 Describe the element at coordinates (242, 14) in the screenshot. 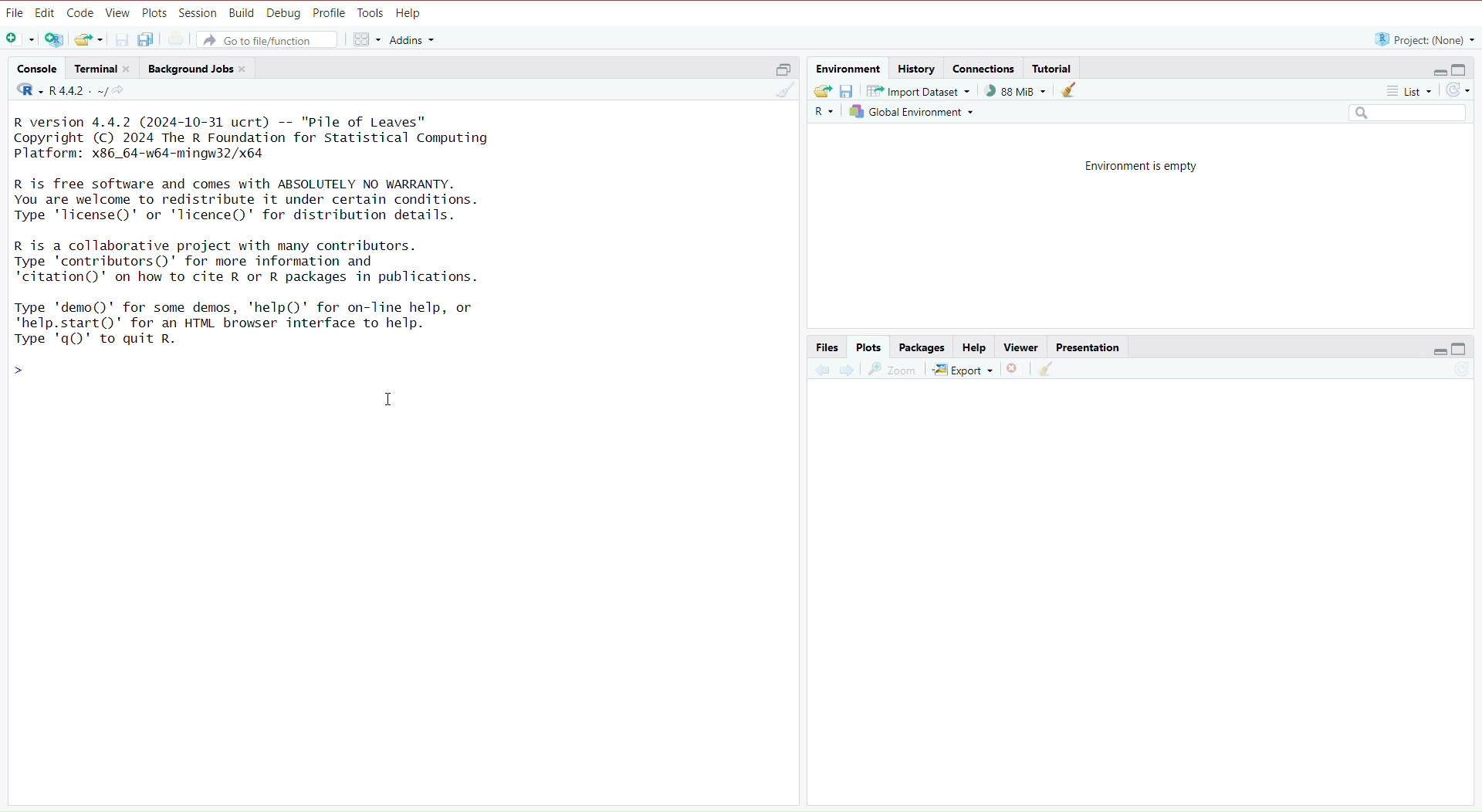

I see `build` at that location.